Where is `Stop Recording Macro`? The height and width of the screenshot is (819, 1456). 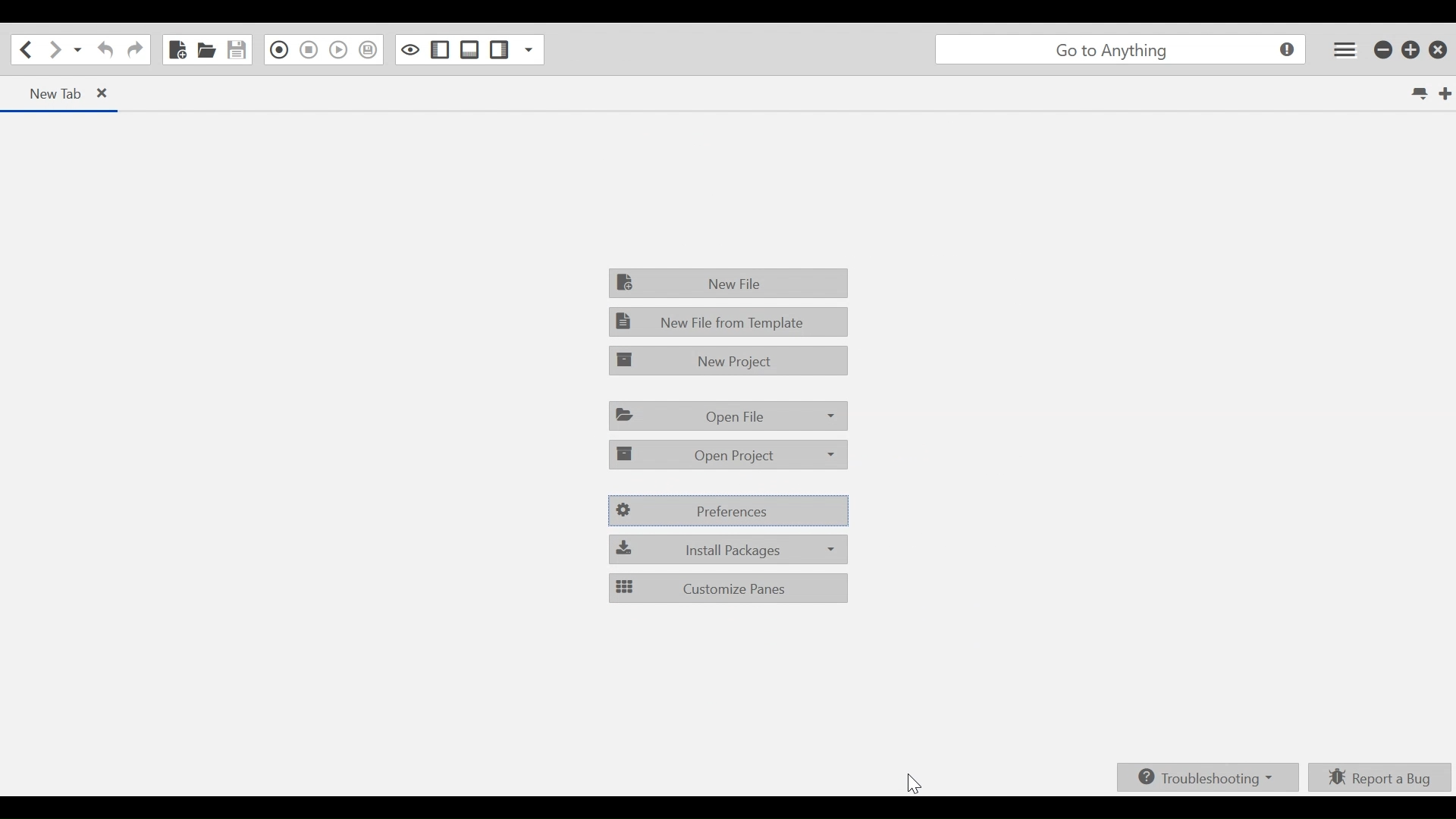 Stop Recording Macro is located at coordinates (309, 50).